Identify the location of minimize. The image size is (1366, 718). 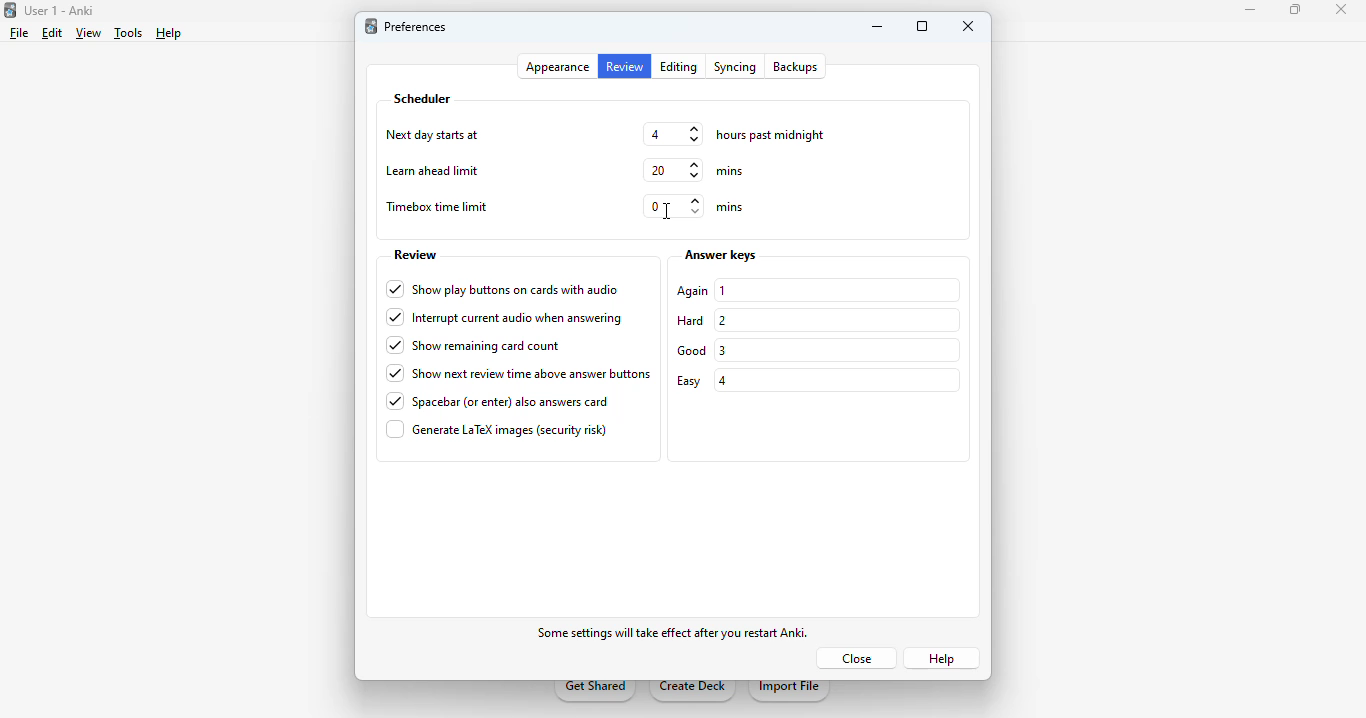
(877, 26).